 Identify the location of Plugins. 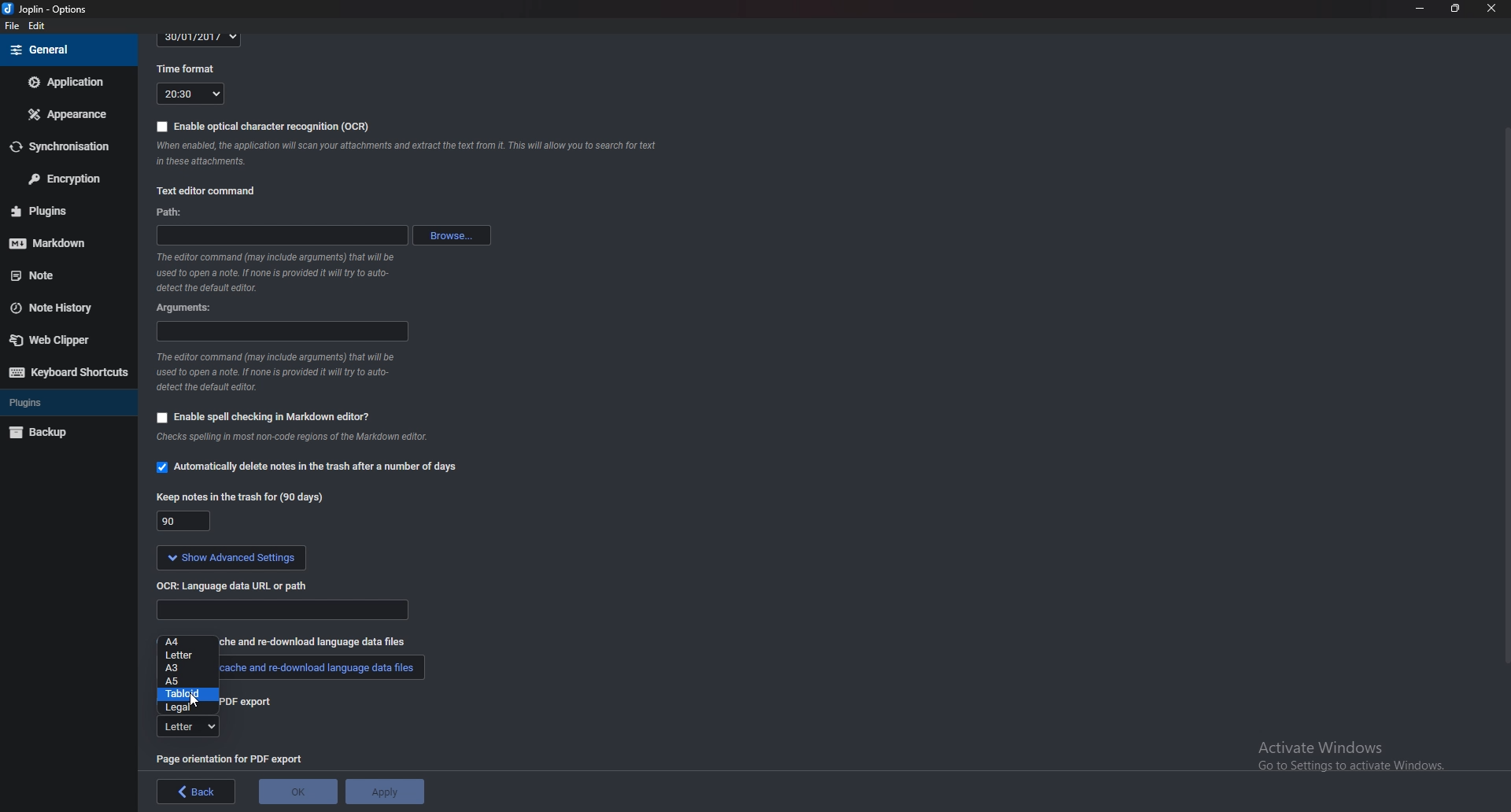
(60, 401).